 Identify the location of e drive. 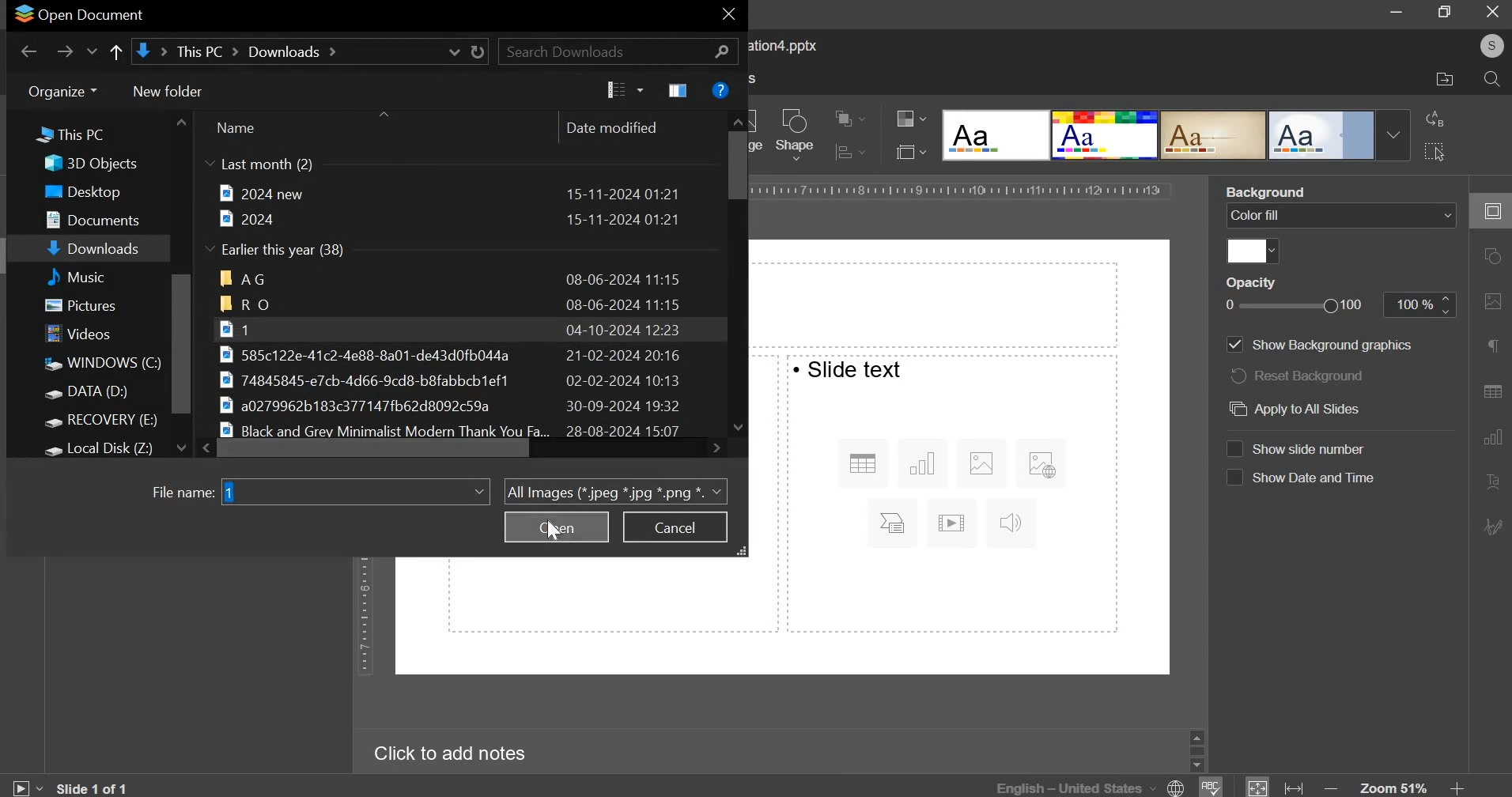
(105, 422).